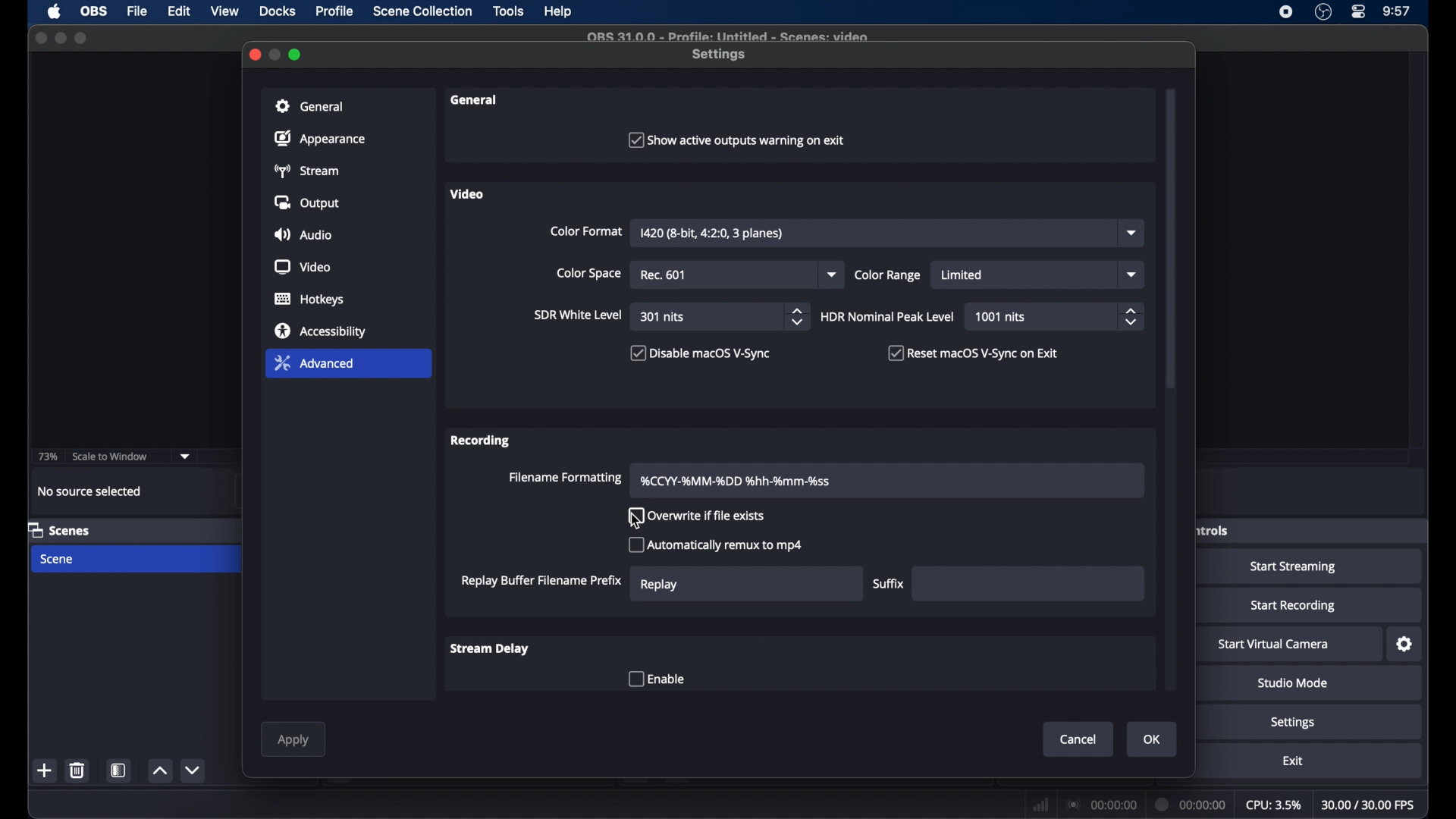 Image resolution: width=1456 pixels, height=819 pixels. Describe the element at coordinates (477, 100) in the screenshot. I see `general` at that location.